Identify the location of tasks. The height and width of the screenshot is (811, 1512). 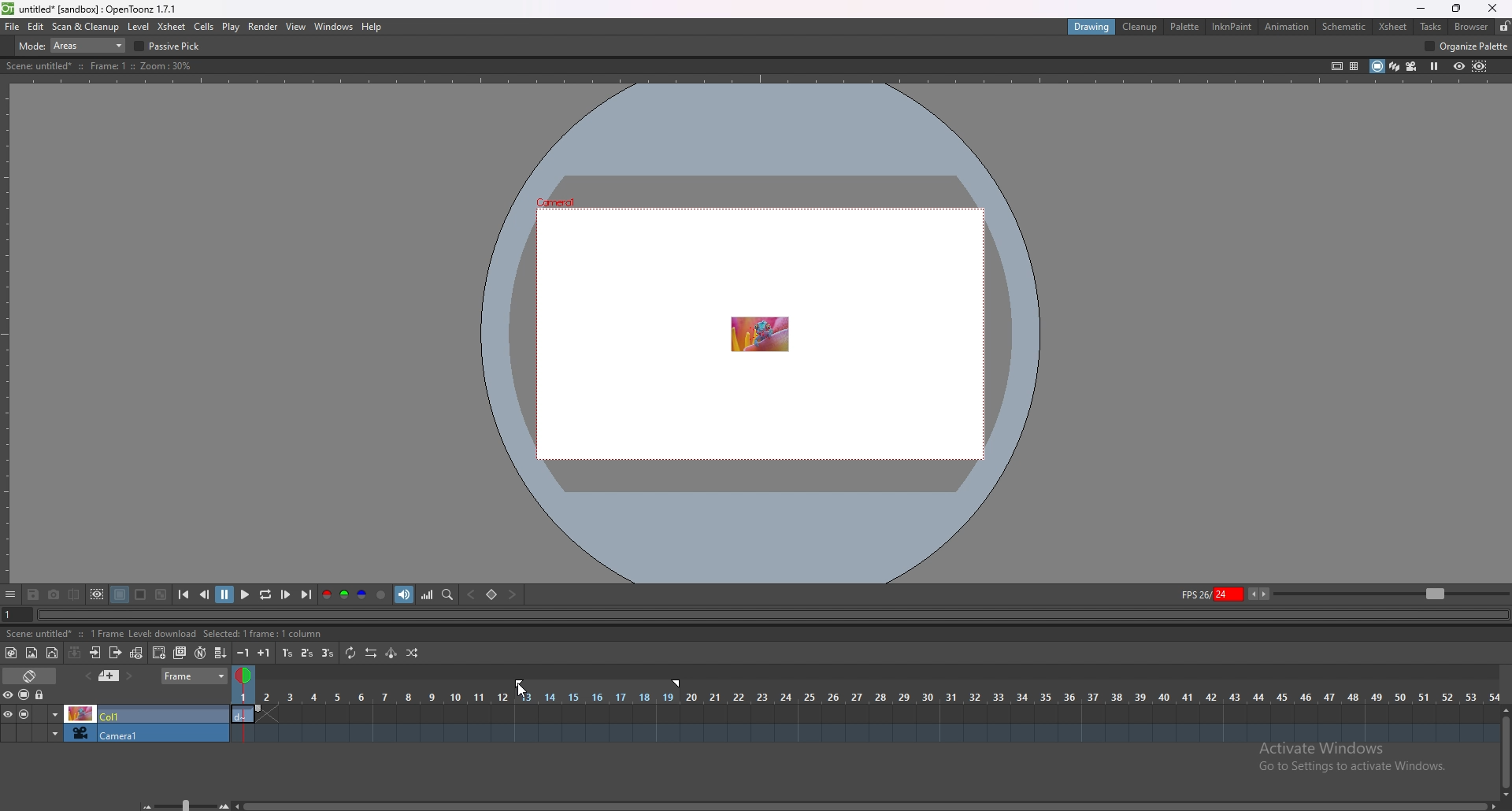
(1430, 26).